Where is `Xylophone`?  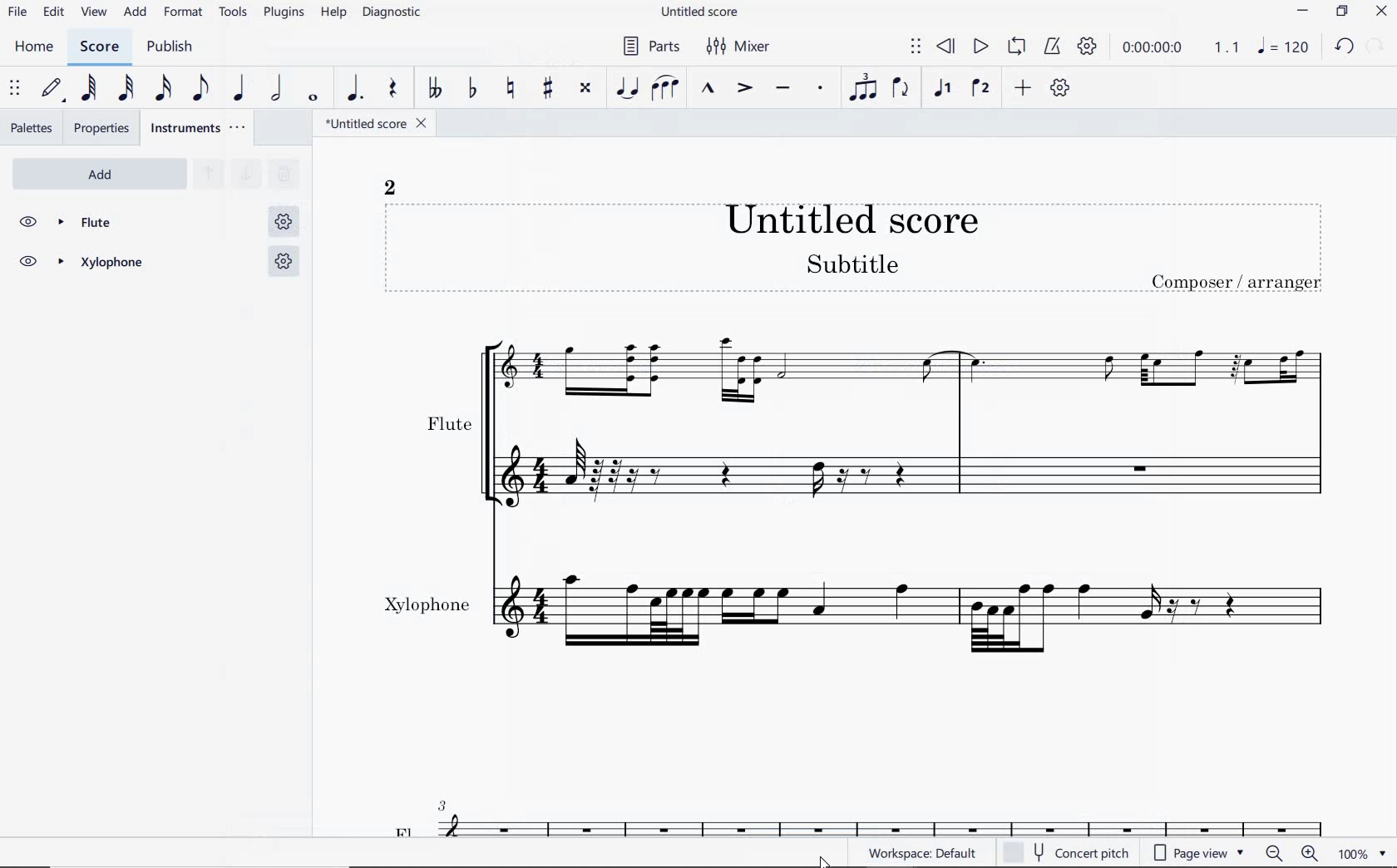 Xylophone is located at coordinates (866, 597).